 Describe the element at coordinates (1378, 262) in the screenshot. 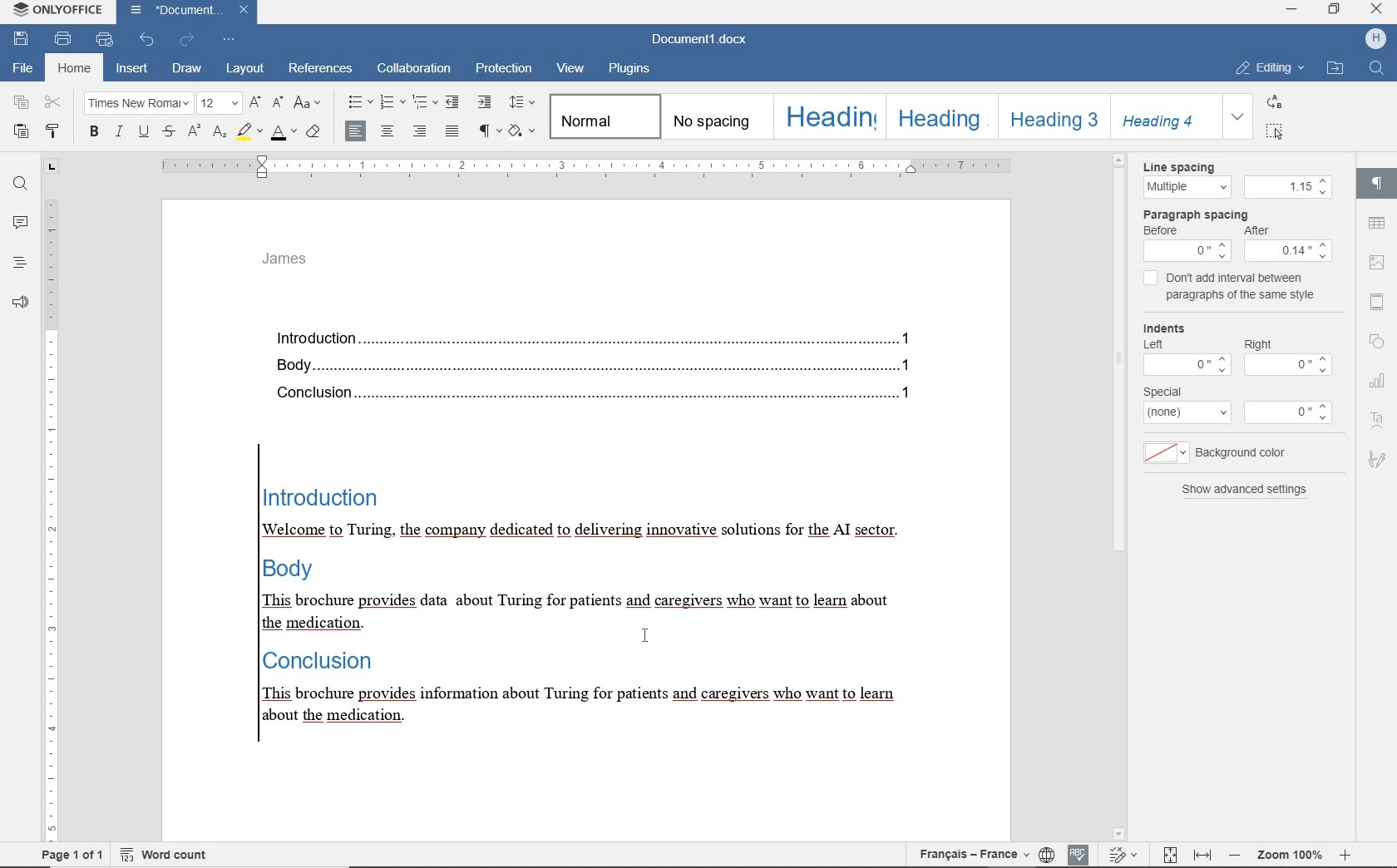

I see `image` at that location.